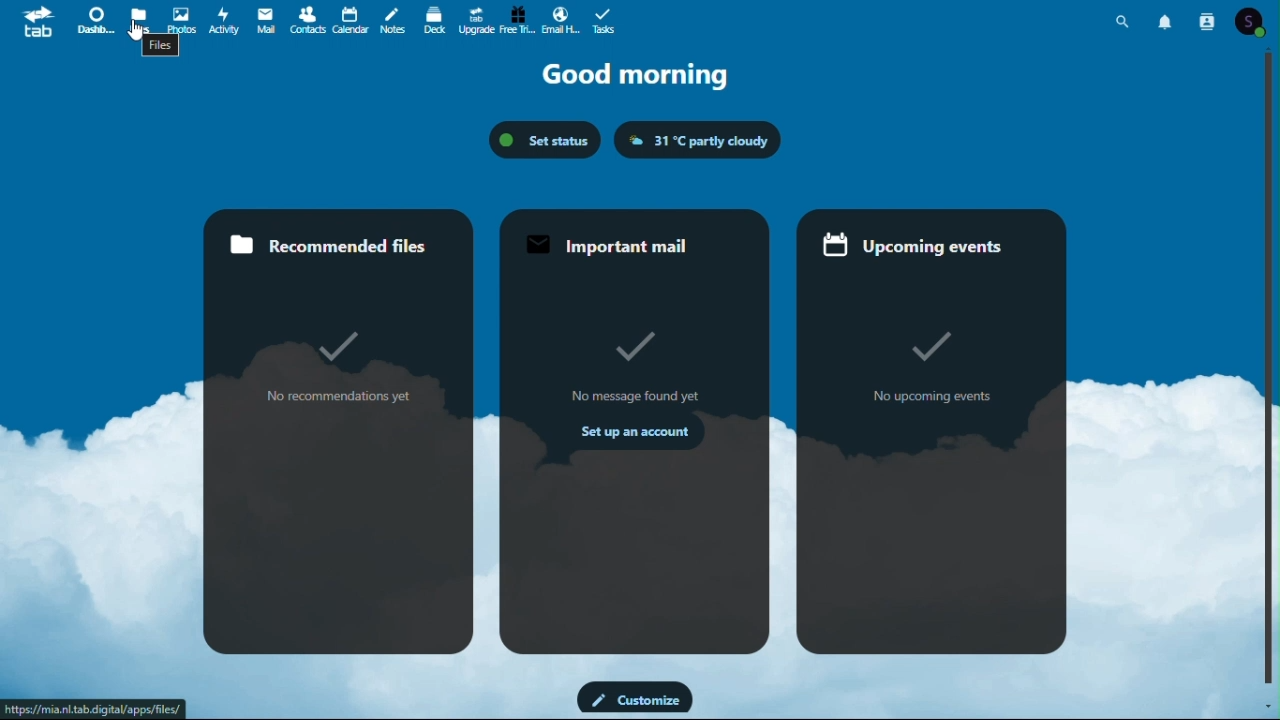 The width and height of the screenshot is (1280, 720). What do you see at coordinates (343, 349) in the screenshot?
I see `Tick mark` at bounding box center [343, 349].